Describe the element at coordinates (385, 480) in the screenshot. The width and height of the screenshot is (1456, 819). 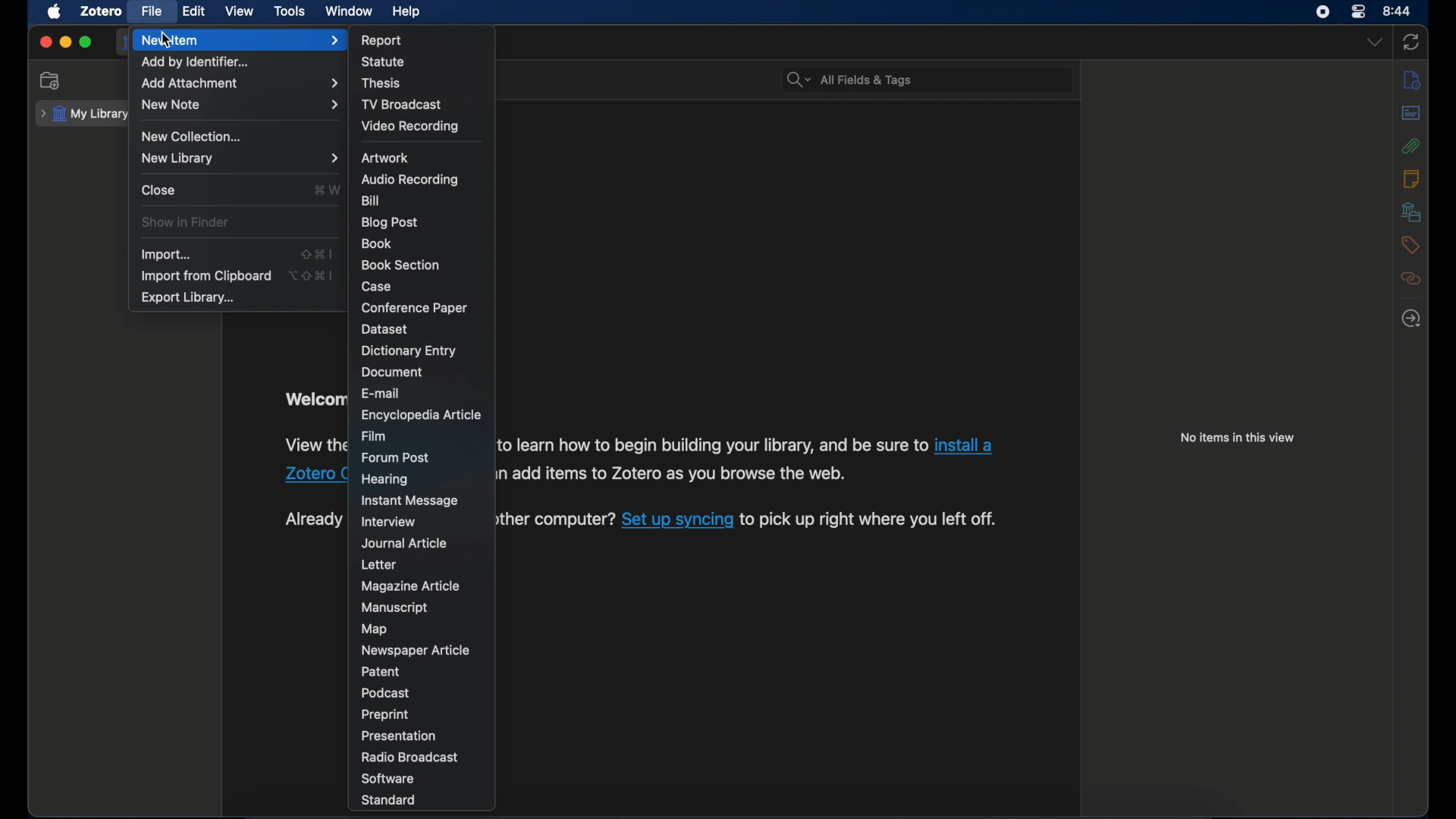
I see `hearing` at that location.